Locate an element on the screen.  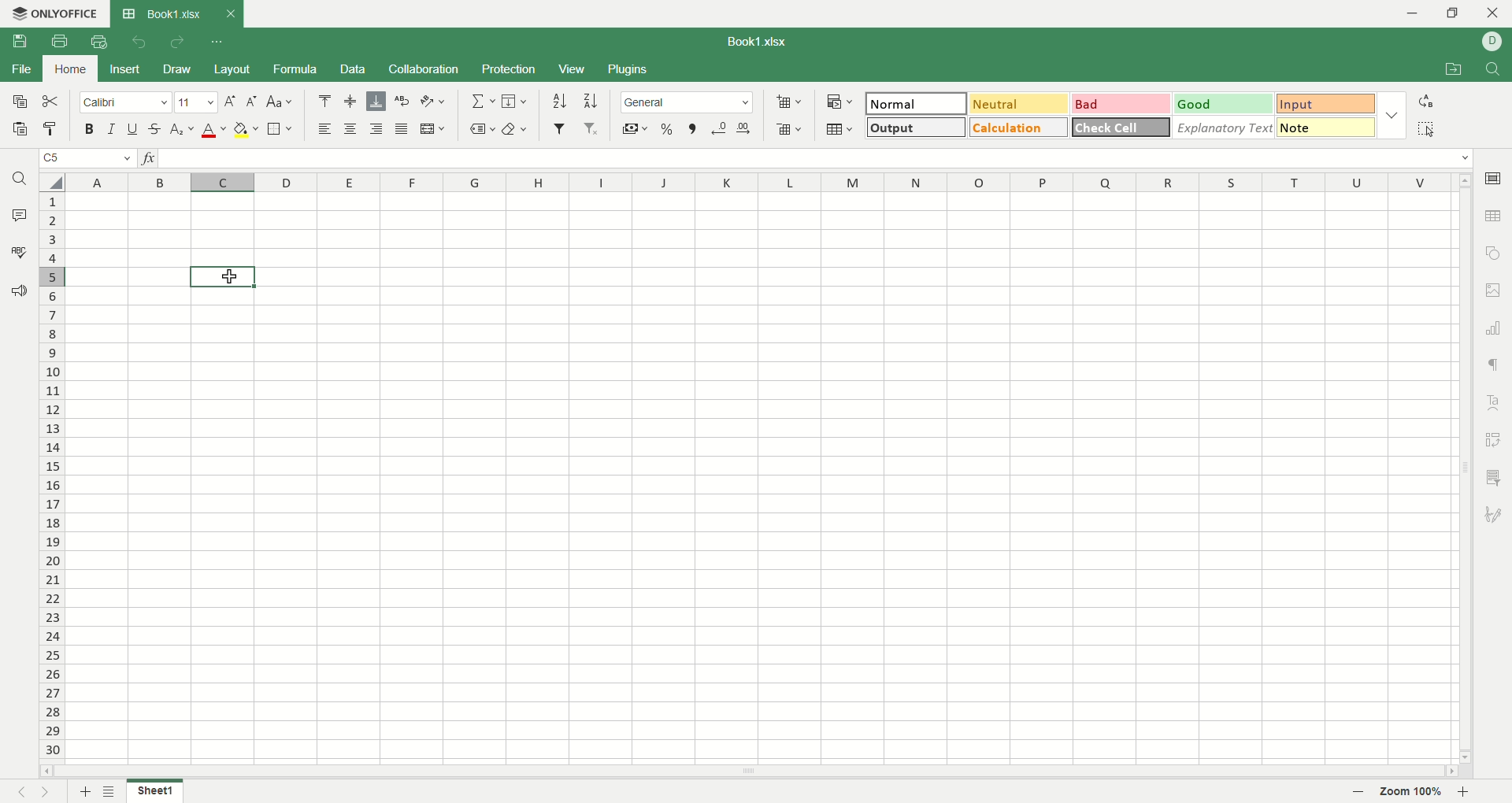
align right is located at coordinates (379, 130).